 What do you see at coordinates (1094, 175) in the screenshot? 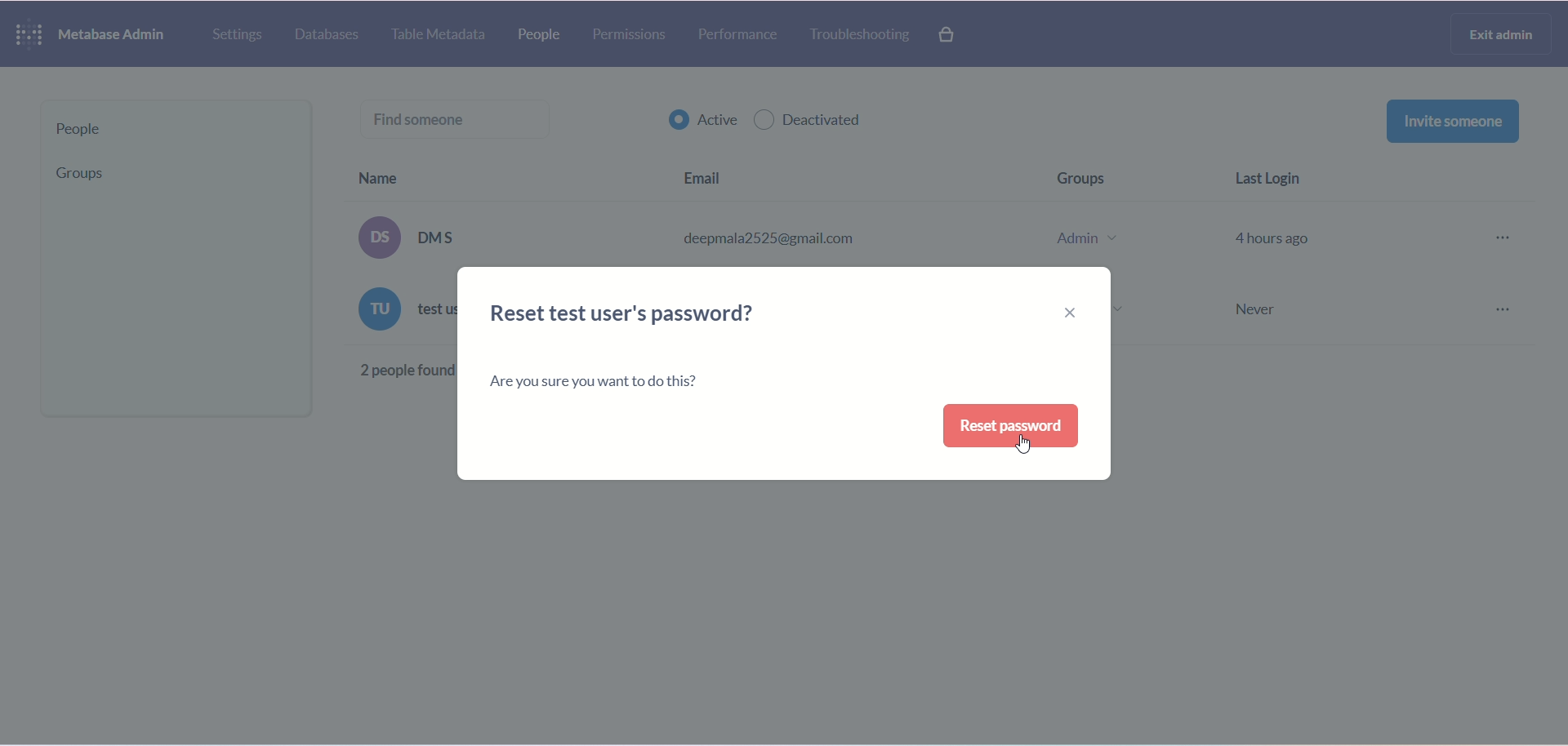
I see `groups` at bounding box center [1094, 175].